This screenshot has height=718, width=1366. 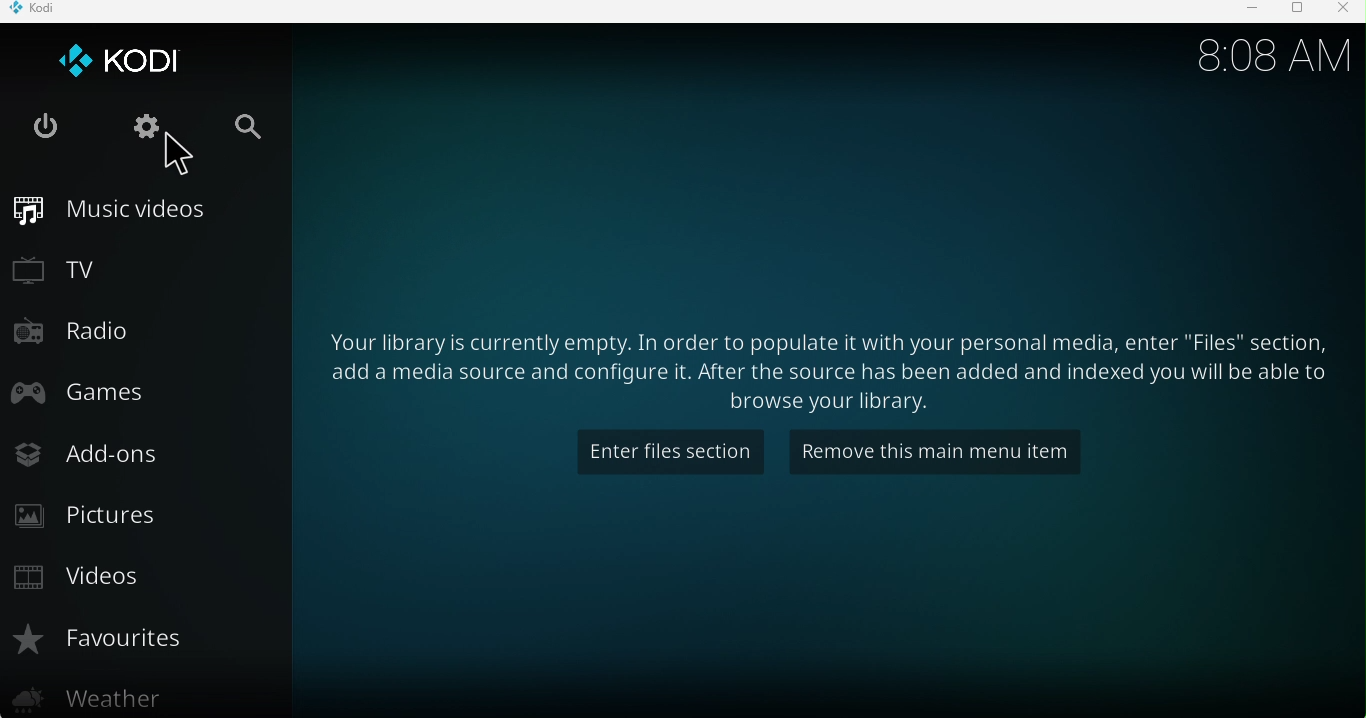 What do you see at coordinates (668, 452) in the screenshot?
I see `Enter files section` at bounding box center [668, 452].